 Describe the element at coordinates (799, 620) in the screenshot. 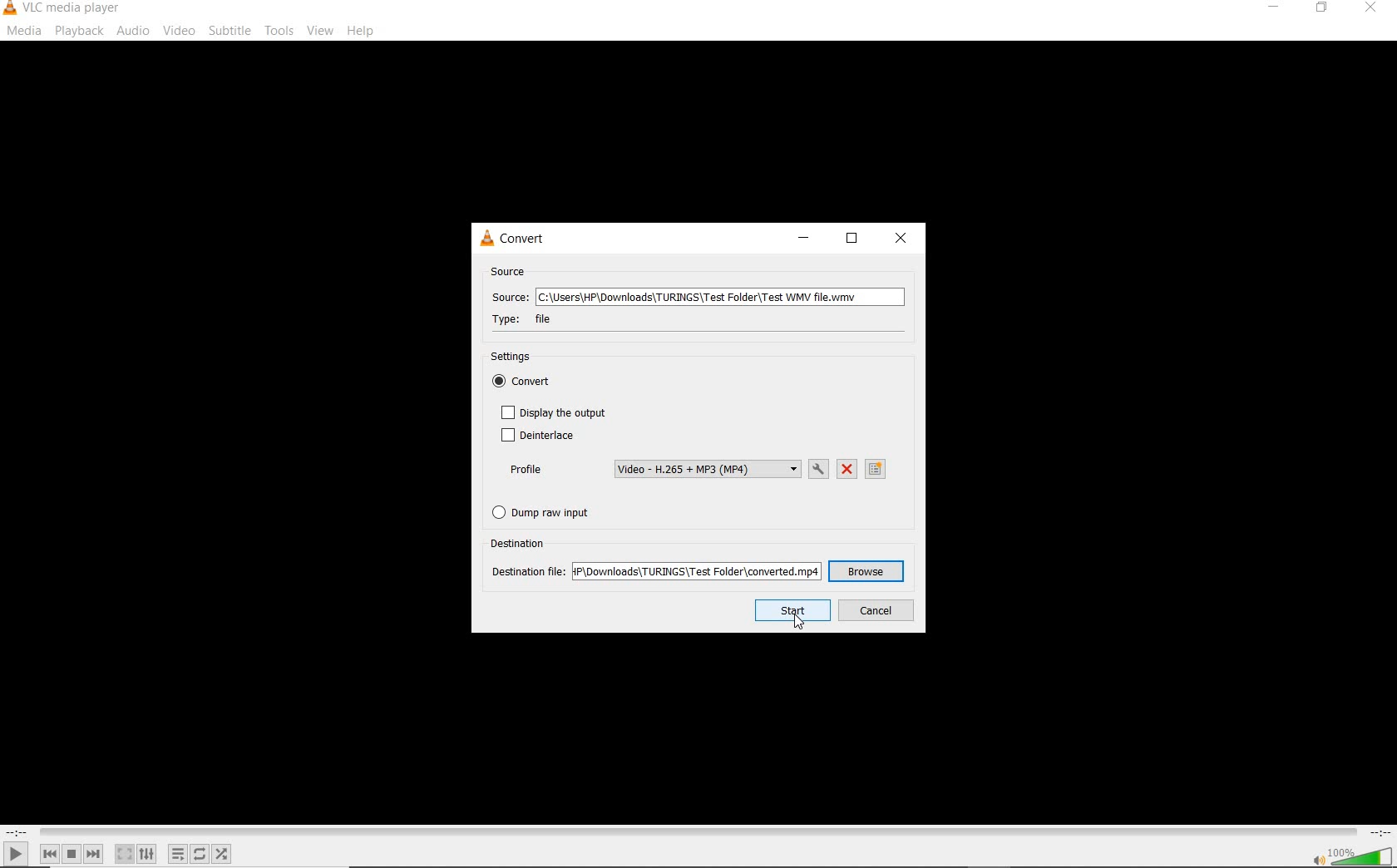

I see `cursor` at that location.